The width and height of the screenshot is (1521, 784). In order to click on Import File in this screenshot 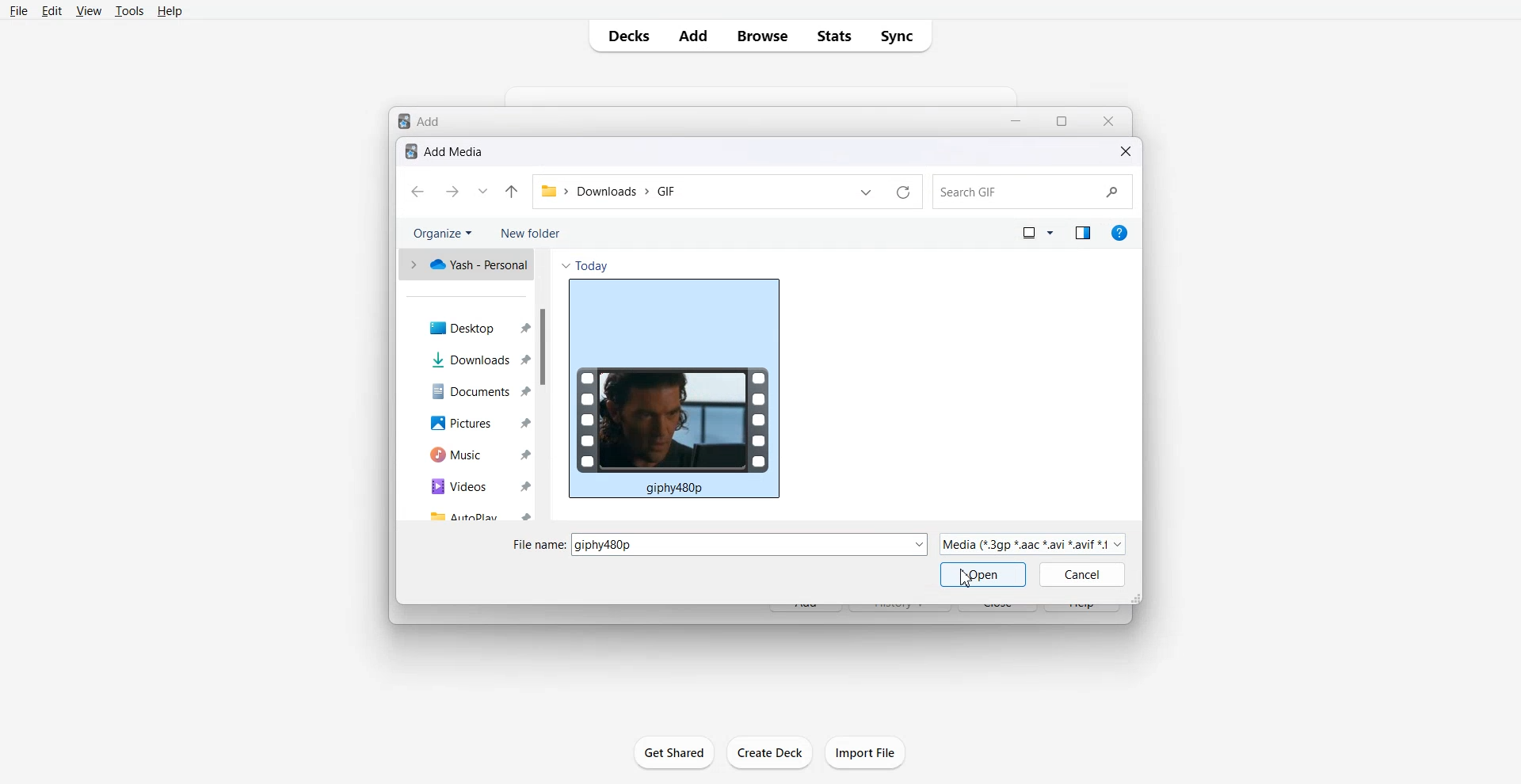, I will do `click(866, 752)`.